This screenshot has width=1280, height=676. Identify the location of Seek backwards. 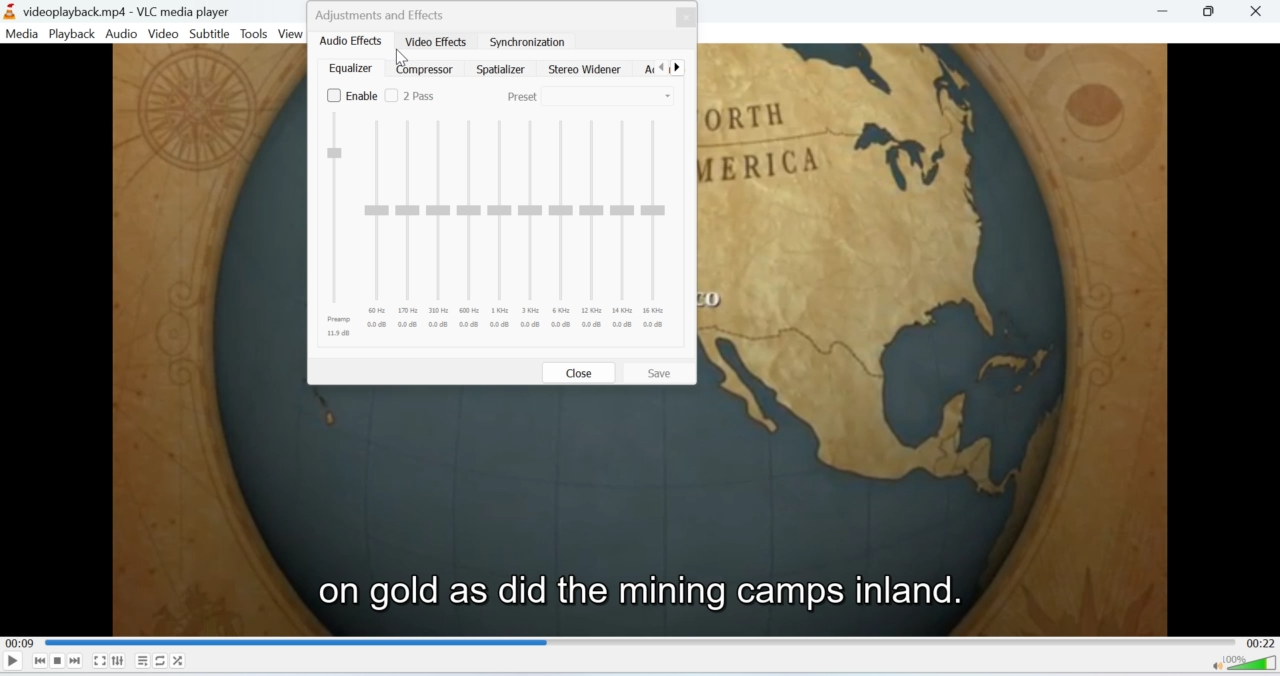
(41, 662).